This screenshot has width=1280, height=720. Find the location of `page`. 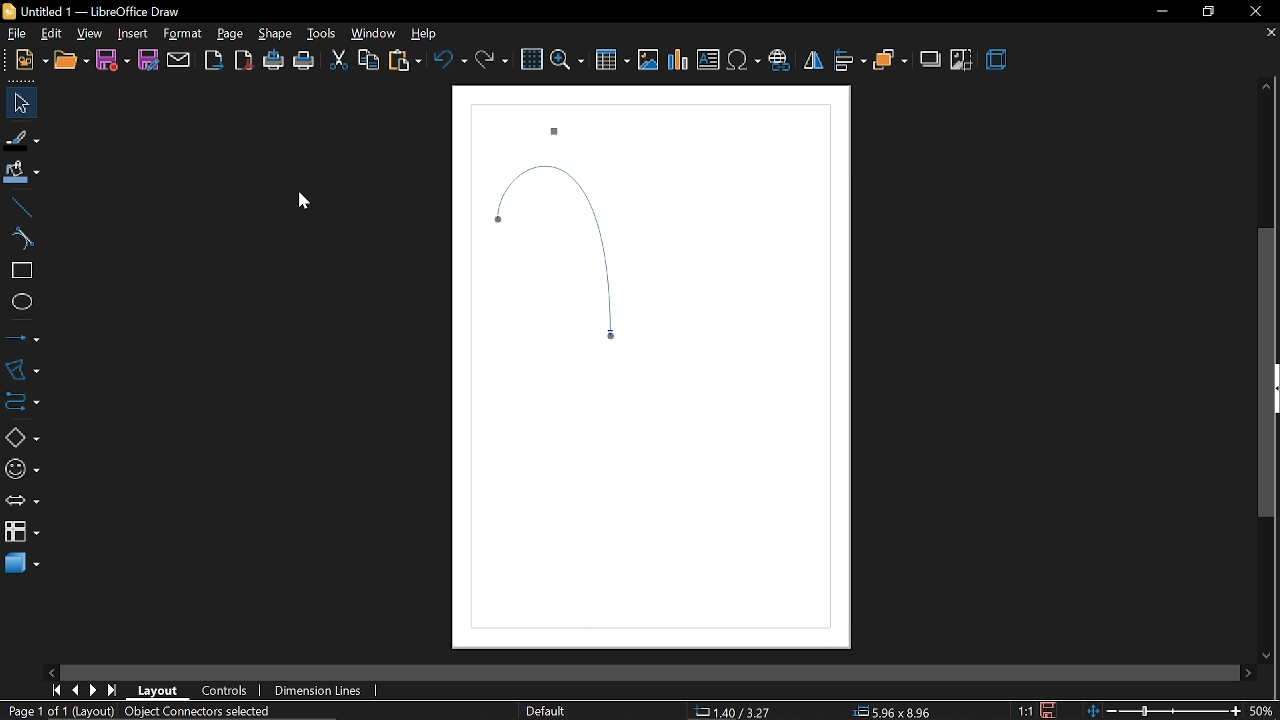

page is located at coordinates (230, 31).